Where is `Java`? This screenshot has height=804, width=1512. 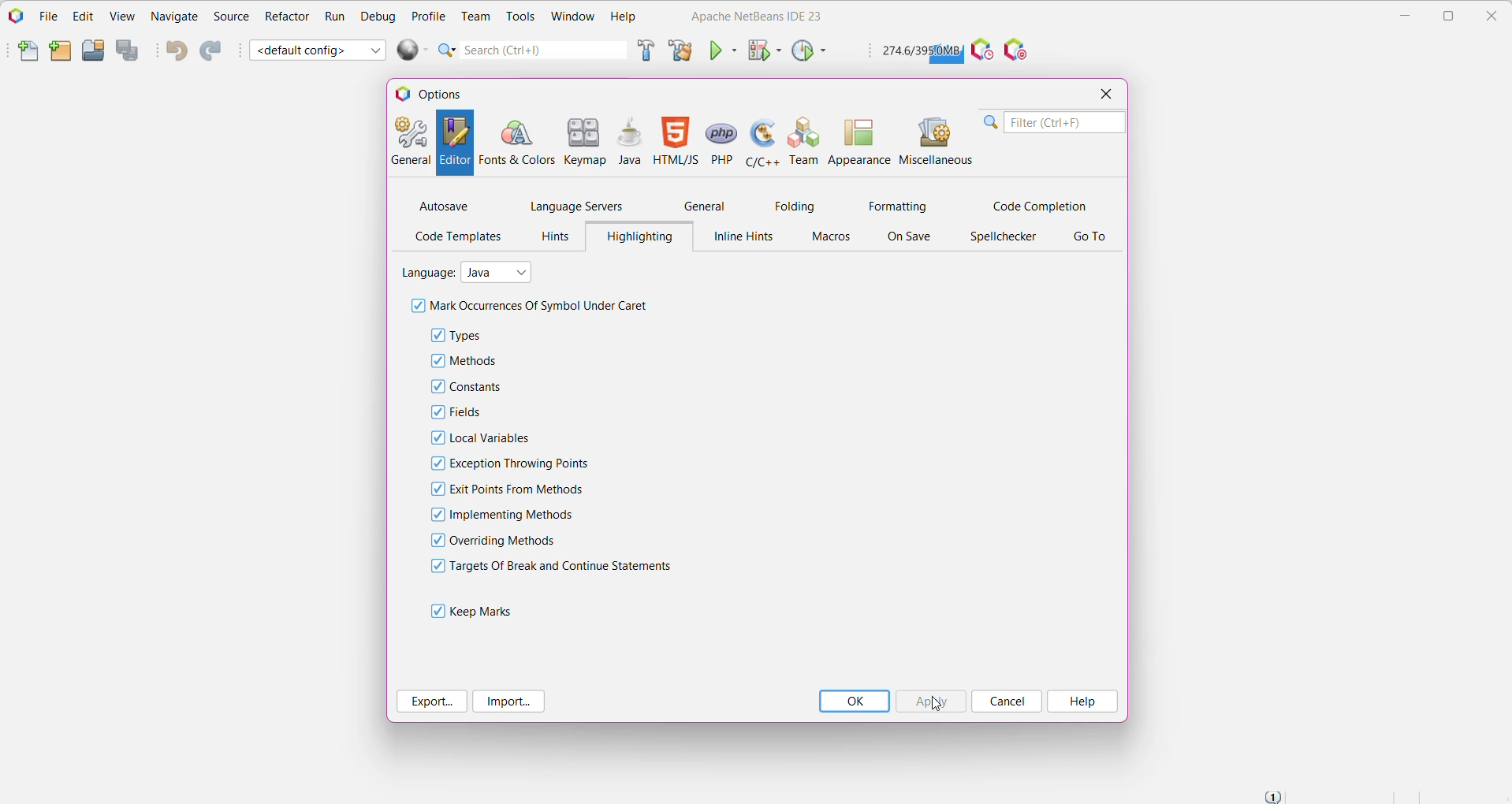
Java is located at coordinates (628, 143).